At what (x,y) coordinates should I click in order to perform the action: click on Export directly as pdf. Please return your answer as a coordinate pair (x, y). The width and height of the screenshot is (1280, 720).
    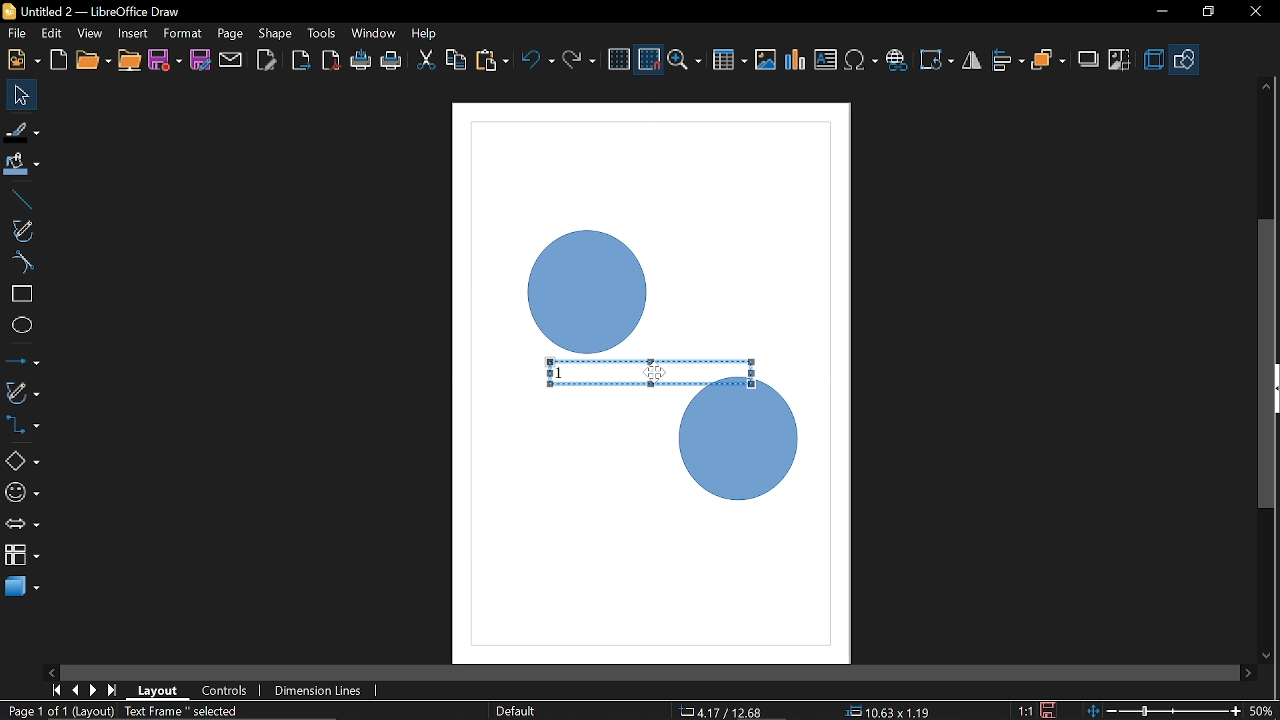
    Looking at the image, I should click on (332, 62).